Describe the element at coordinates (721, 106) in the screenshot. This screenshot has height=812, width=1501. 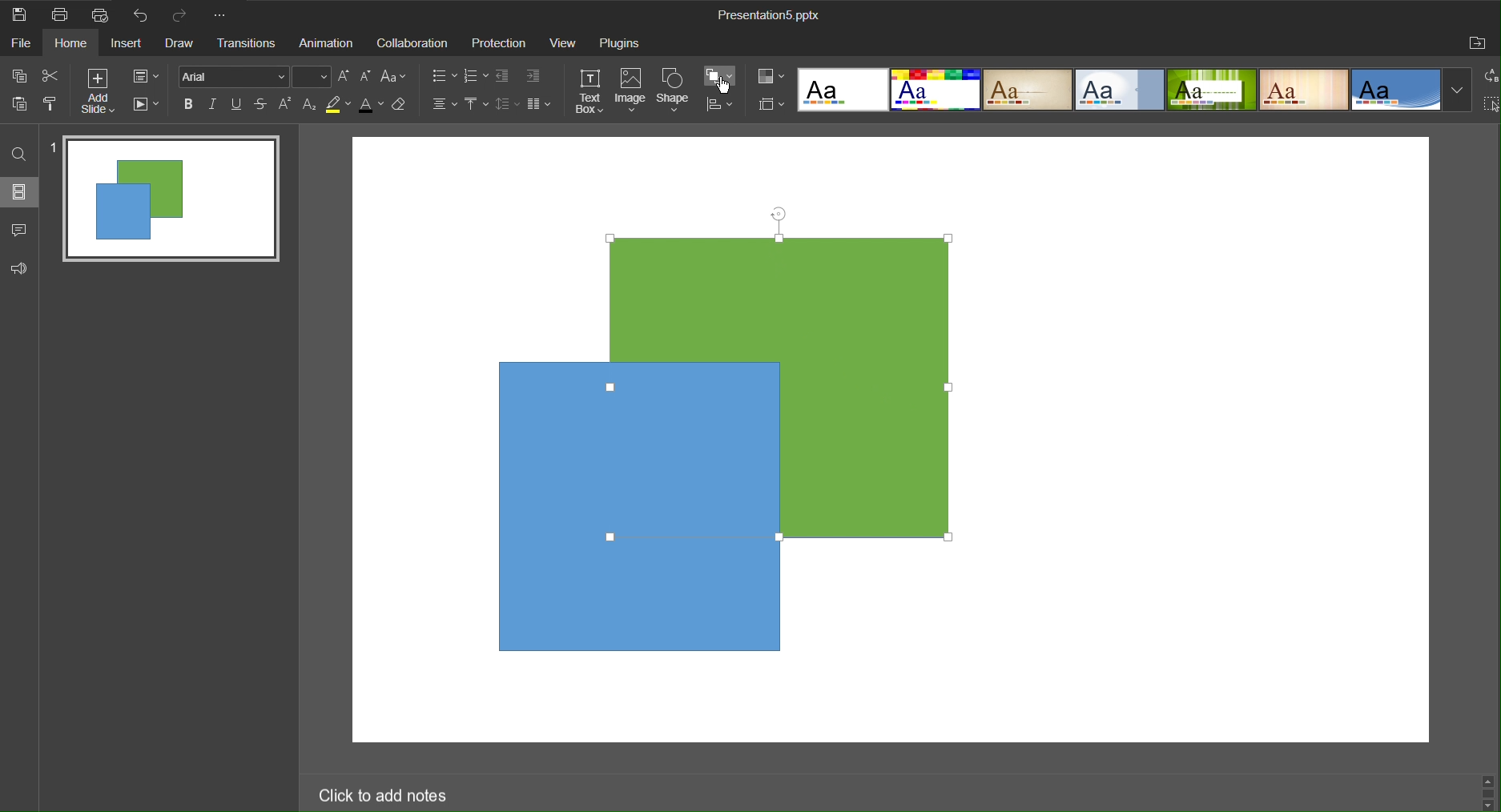
I see `Distribute` at that location.